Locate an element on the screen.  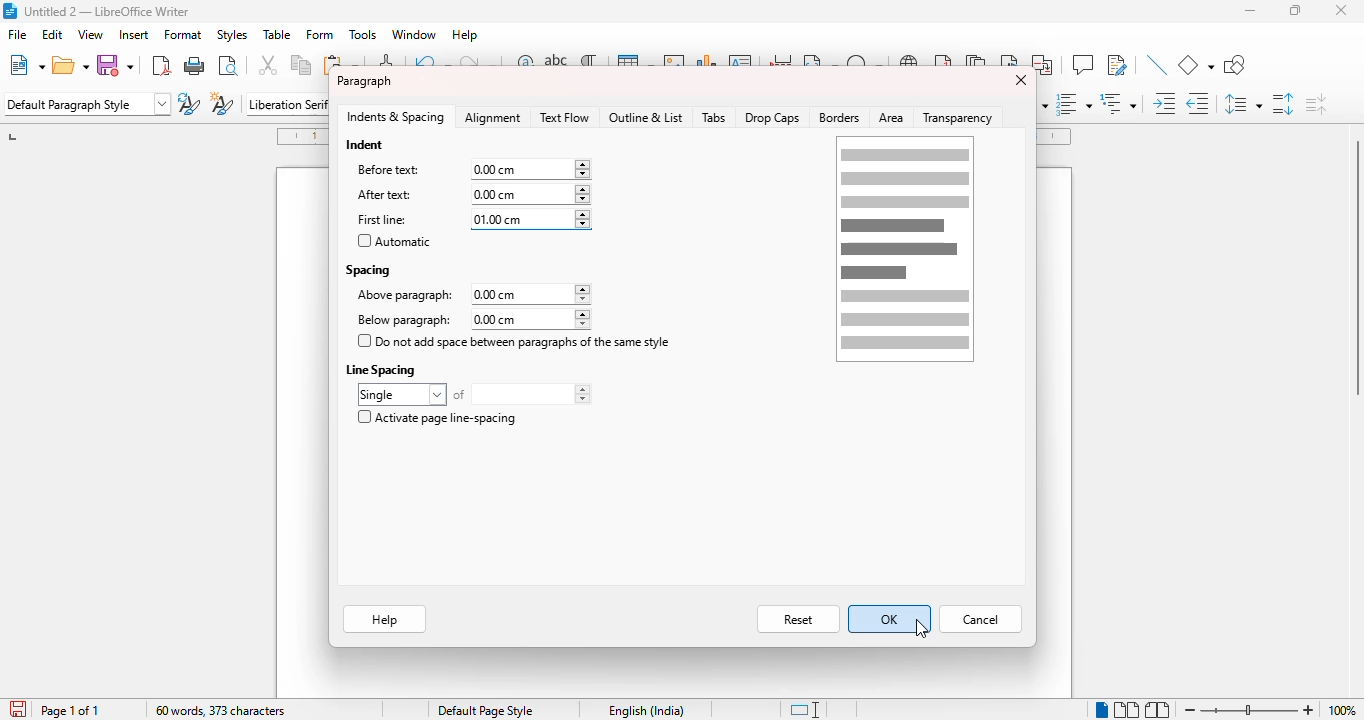
open is located at coordinates (71, 65).